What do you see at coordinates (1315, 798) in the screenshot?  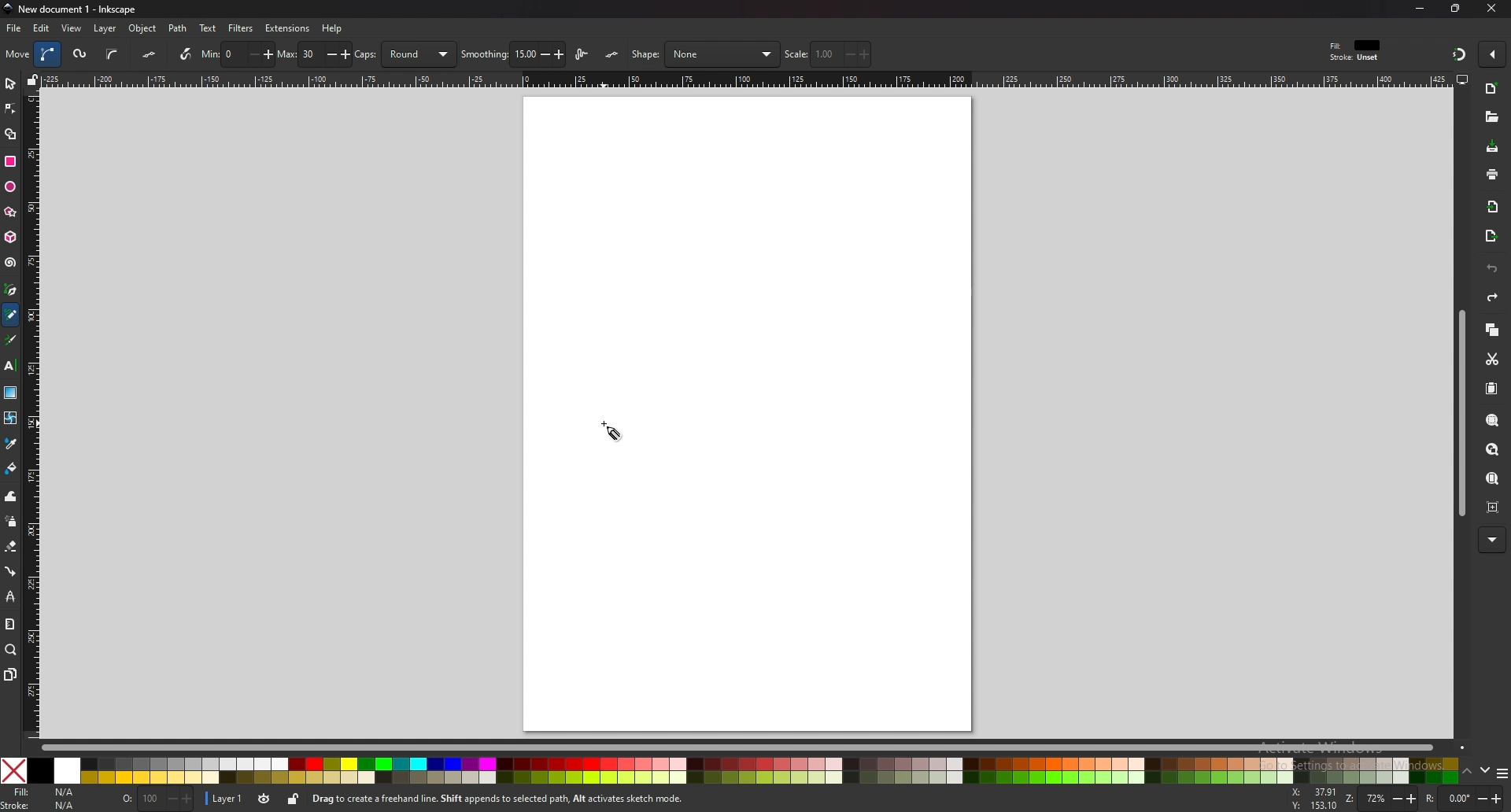 I see `cursor coordinates` at bounding box center [1315, 798].